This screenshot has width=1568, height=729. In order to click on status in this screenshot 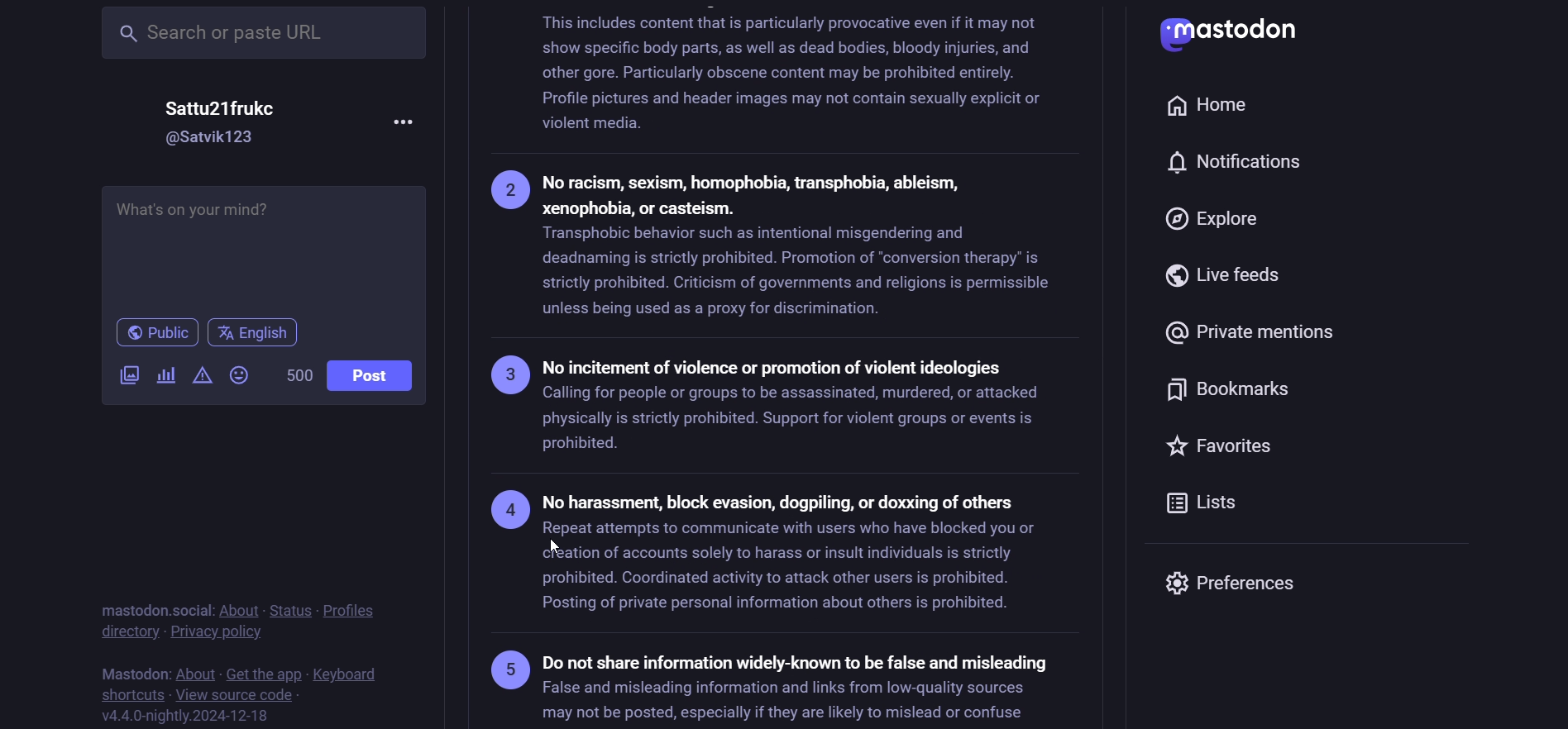, I will do `click(287, 608)`.